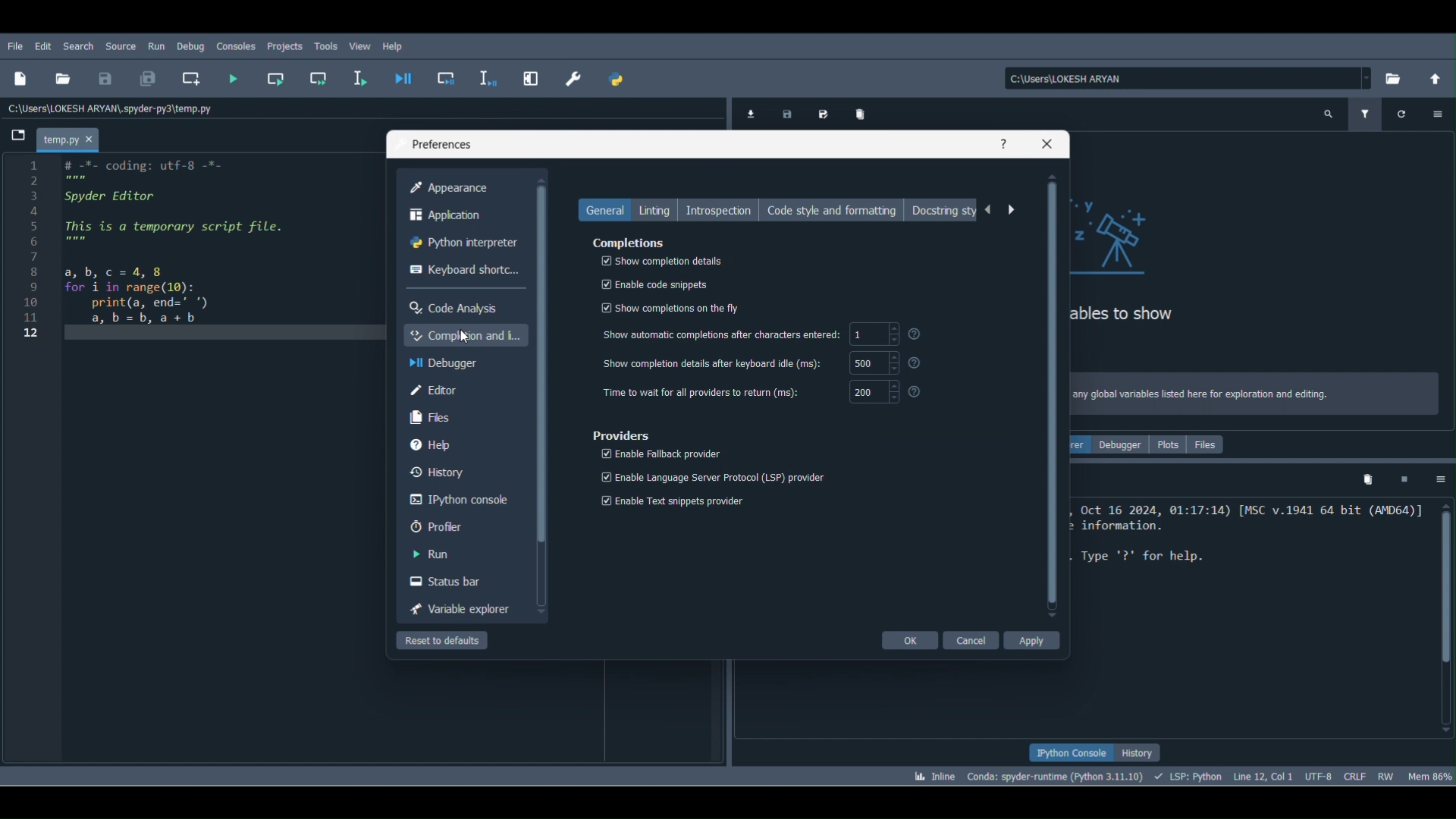 The image size is (1456, 819). What do you see at coordinates (536, 80) in the screenshot?
I see `Maximize current pane (Ctrl + Alt + Shift + M)` at bounding box center [536, 80].